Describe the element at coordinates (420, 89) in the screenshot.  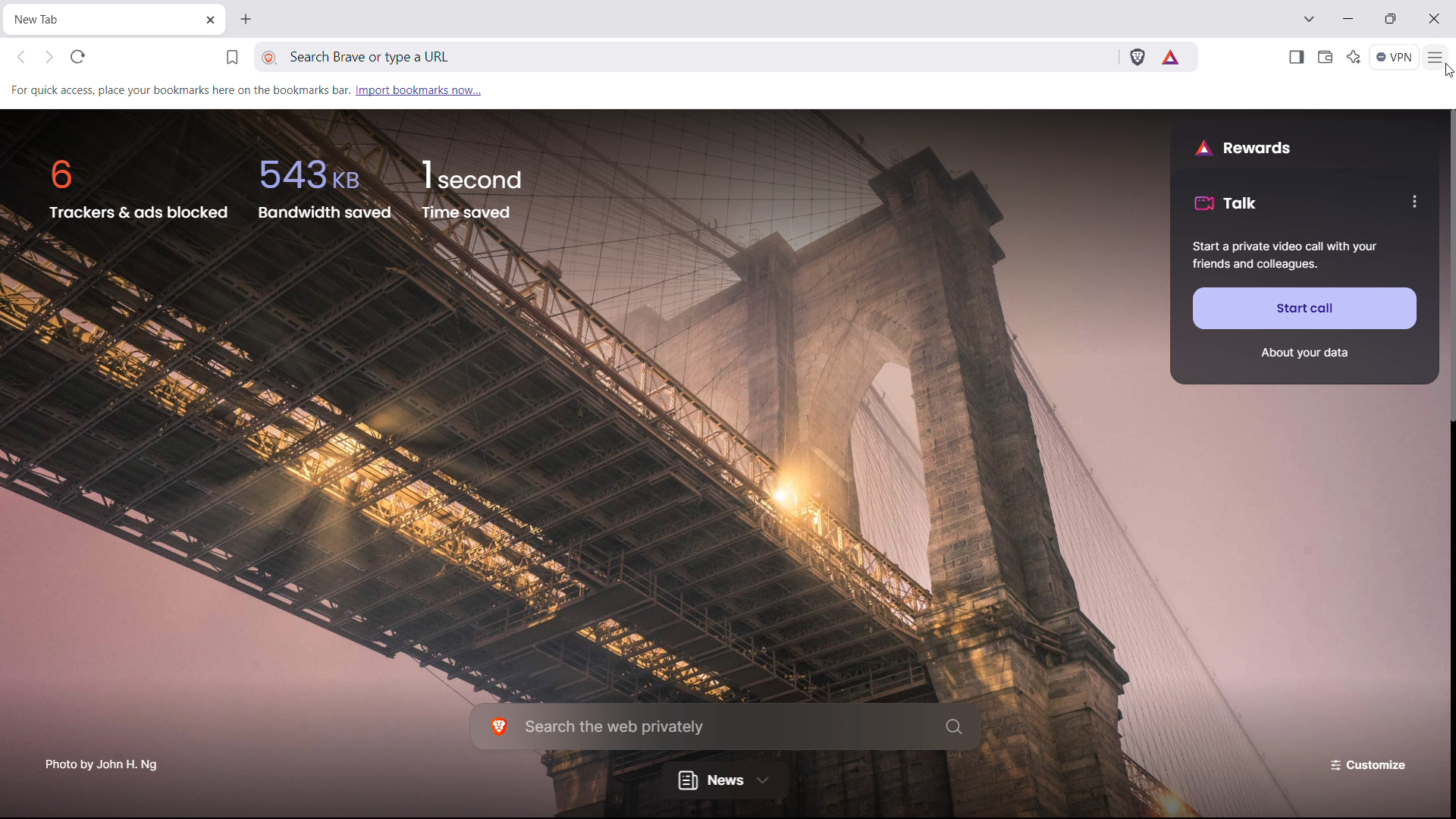
I see `import bookmarks` at that location.